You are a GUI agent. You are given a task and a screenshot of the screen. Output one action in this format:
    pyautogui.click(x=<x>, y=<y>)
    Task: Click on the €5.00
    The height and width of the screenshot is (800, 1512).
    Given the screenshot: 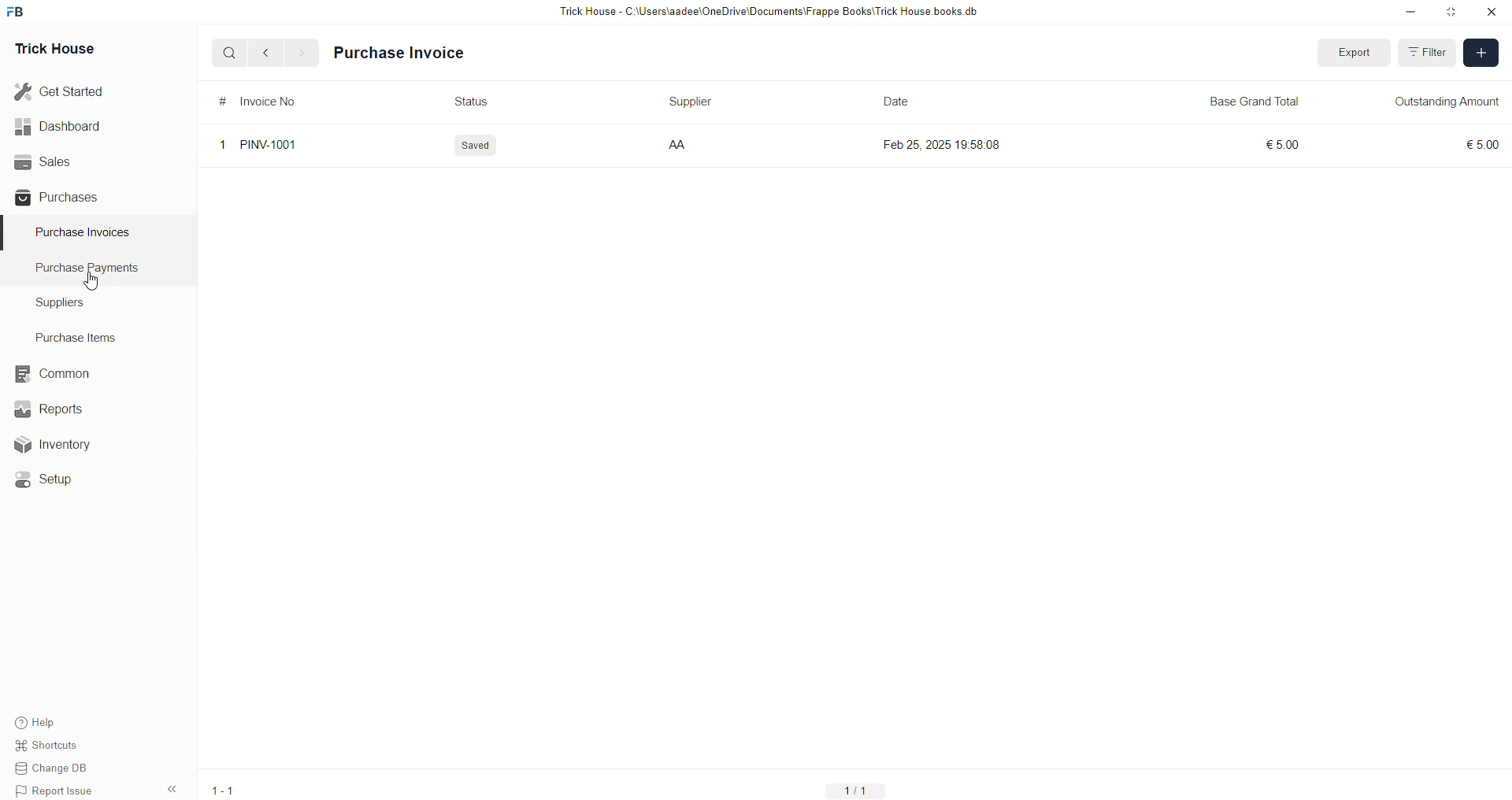 What is the action you would take?
    pyautogui.click(x=1276, y=145)
    